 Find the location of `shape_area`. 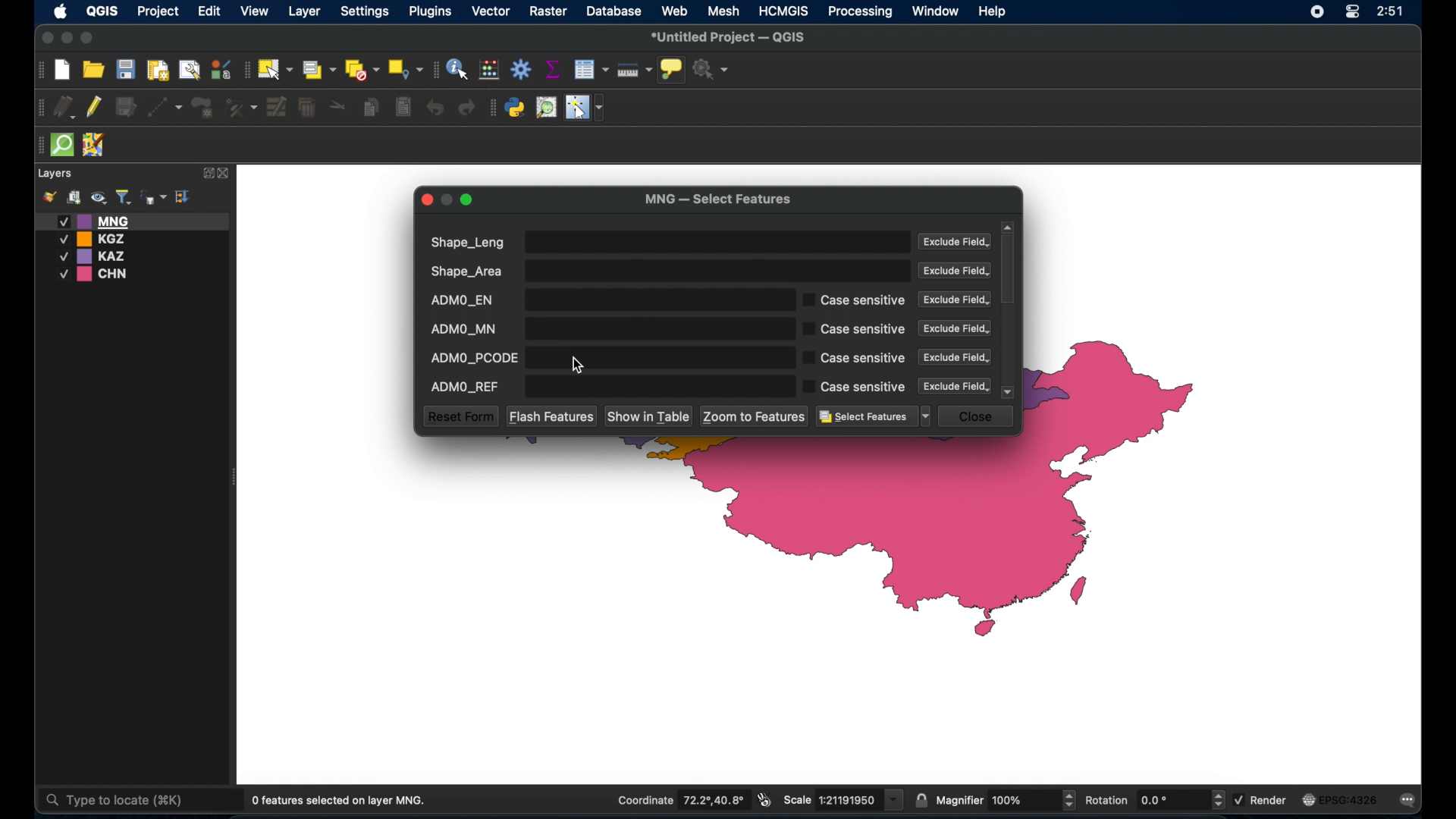

shape_area is located at coordinates (668, 271).